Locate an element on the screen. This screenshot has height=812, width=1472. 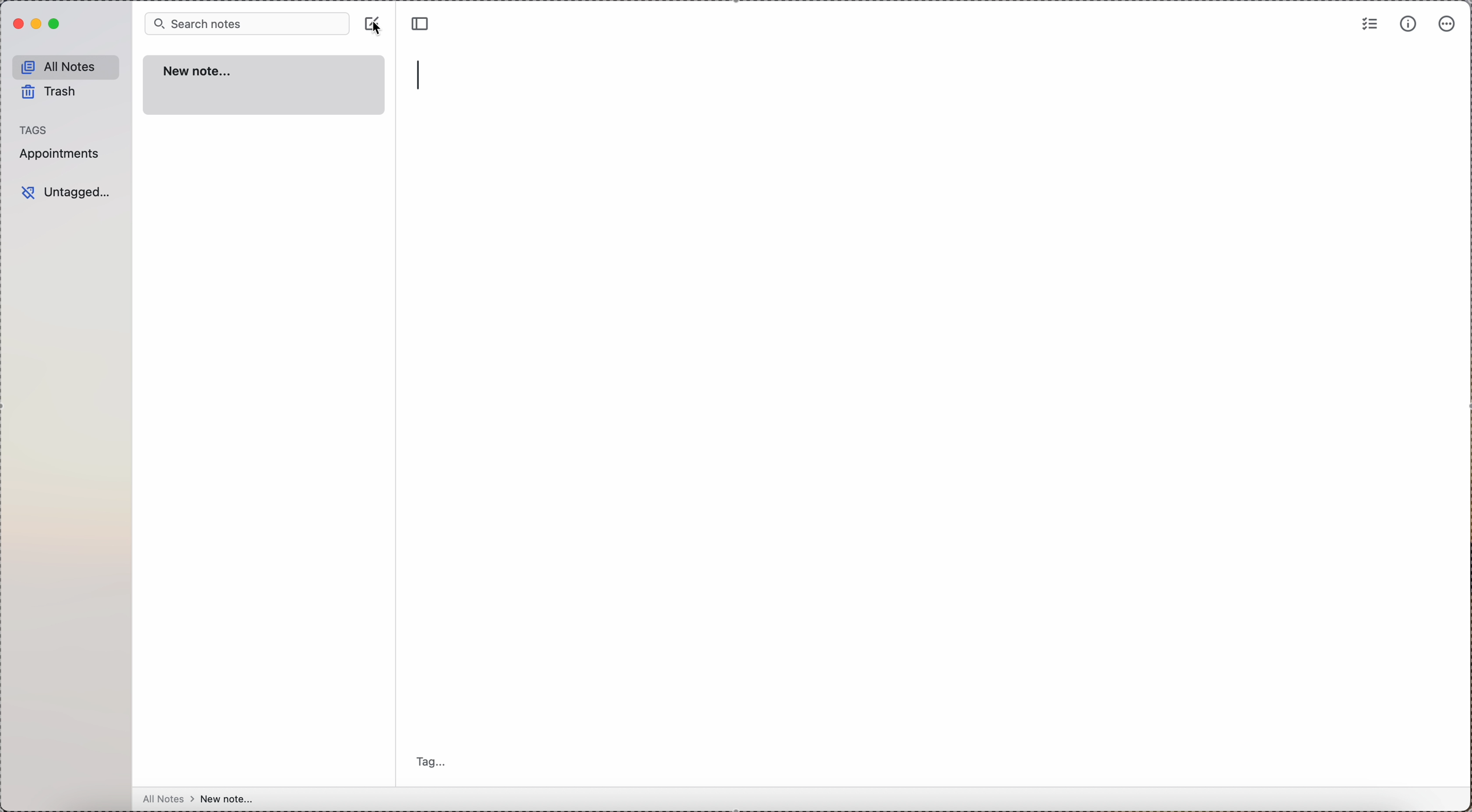
check list is located at coordinates (1369, 24).